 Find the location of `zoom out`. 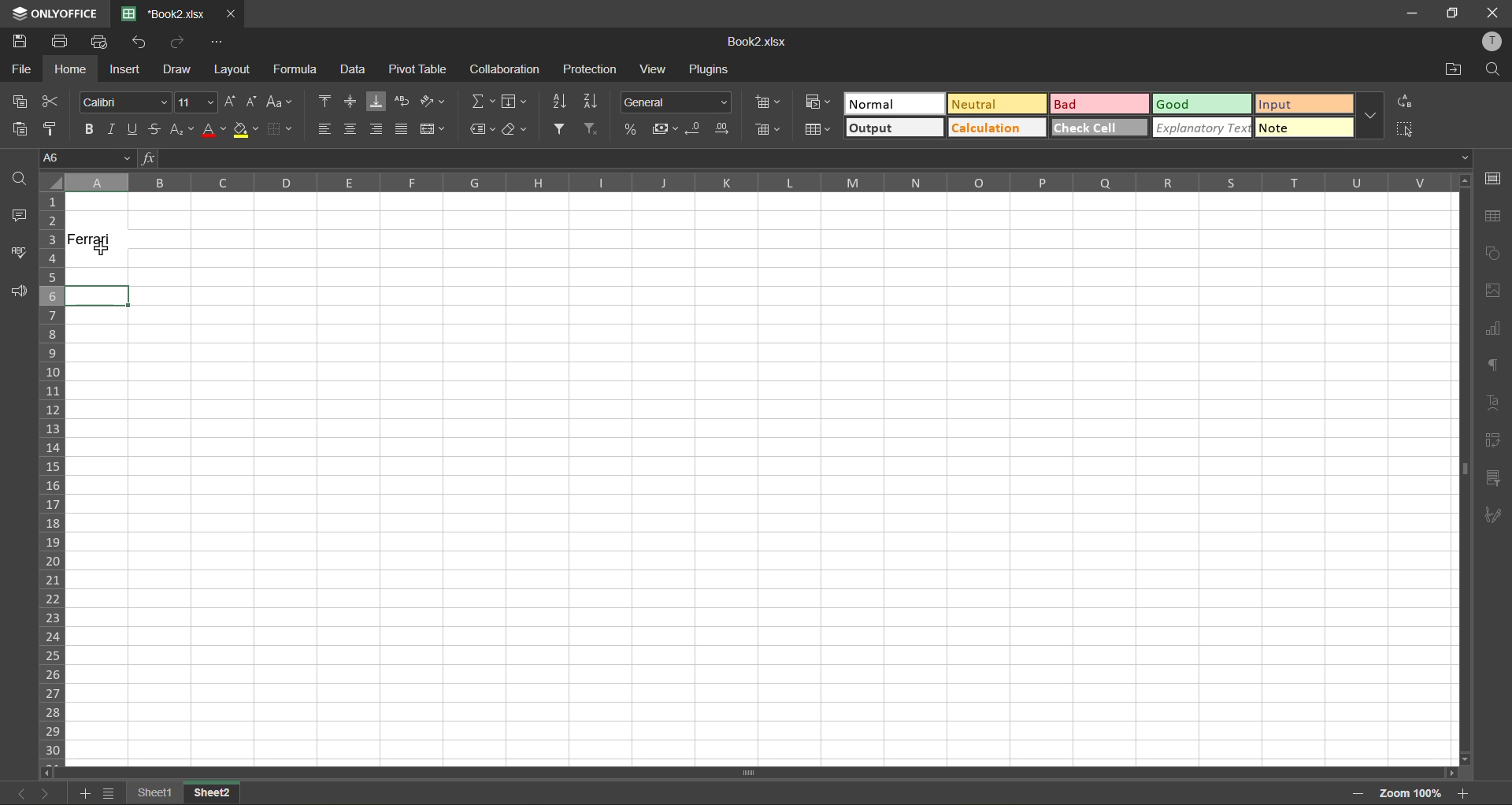

zoom out is located at coordinates (1358, 796).